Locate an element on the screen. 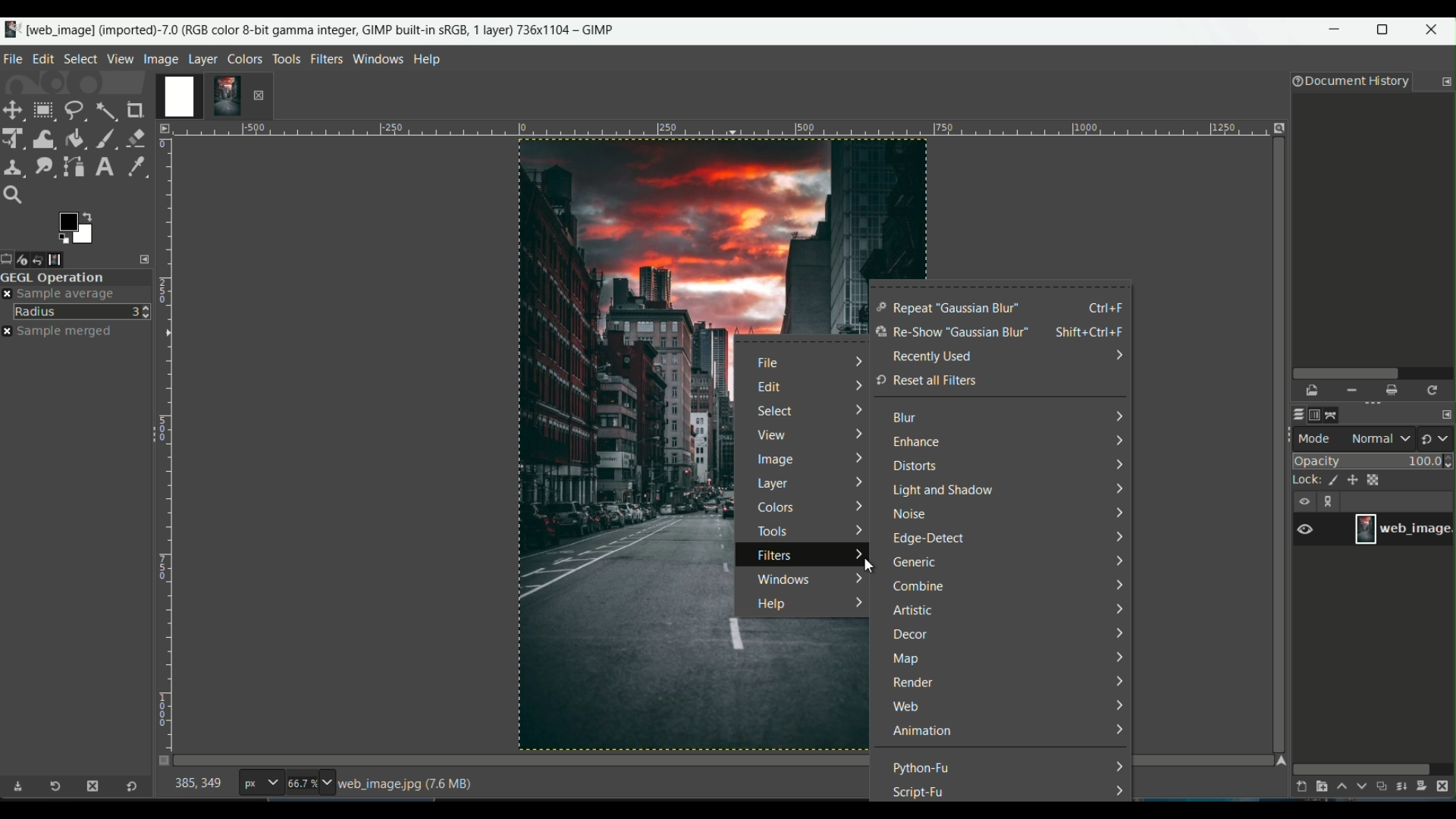 This screenshot has height=819, width=1456. zoom tool is located at coordinates (17, 196).